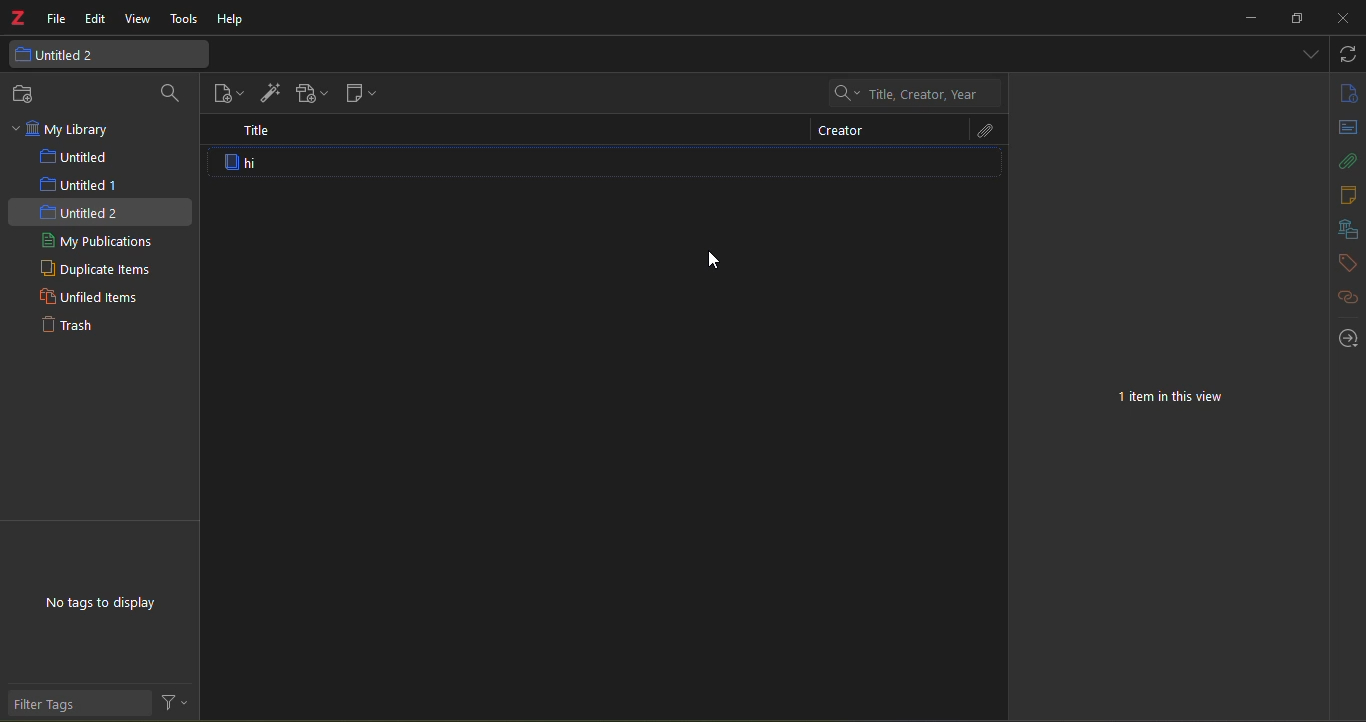 The height and width of the screenshot is (722, 1366). Describe the element at coordinates (89, 297) in the screenshot. I see `unfiled items` at that location.